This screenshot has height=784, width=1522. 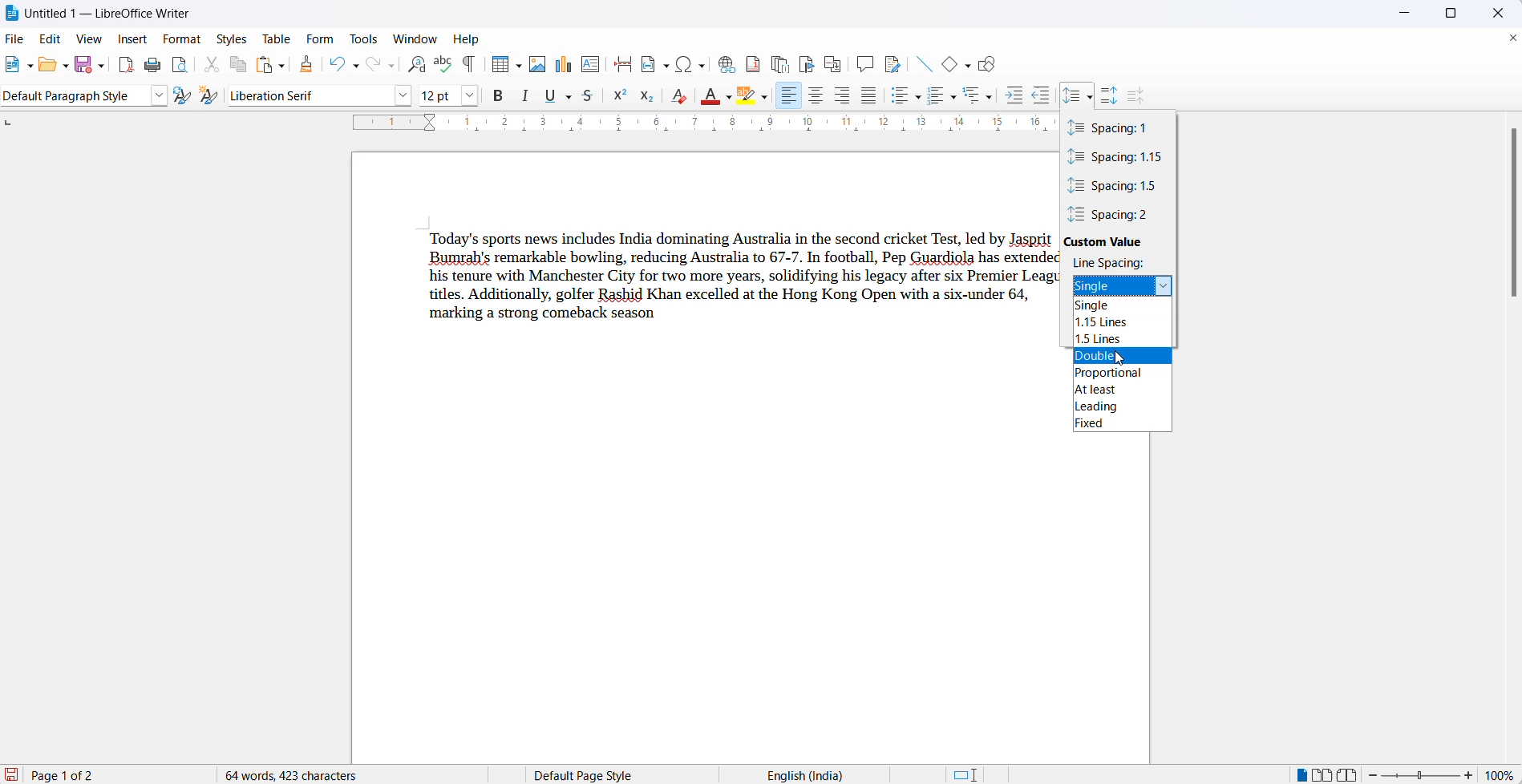 What do you see at coordinates (694, 127) in the screenshot?
I see `scaling` at bounding box center [694, 127].